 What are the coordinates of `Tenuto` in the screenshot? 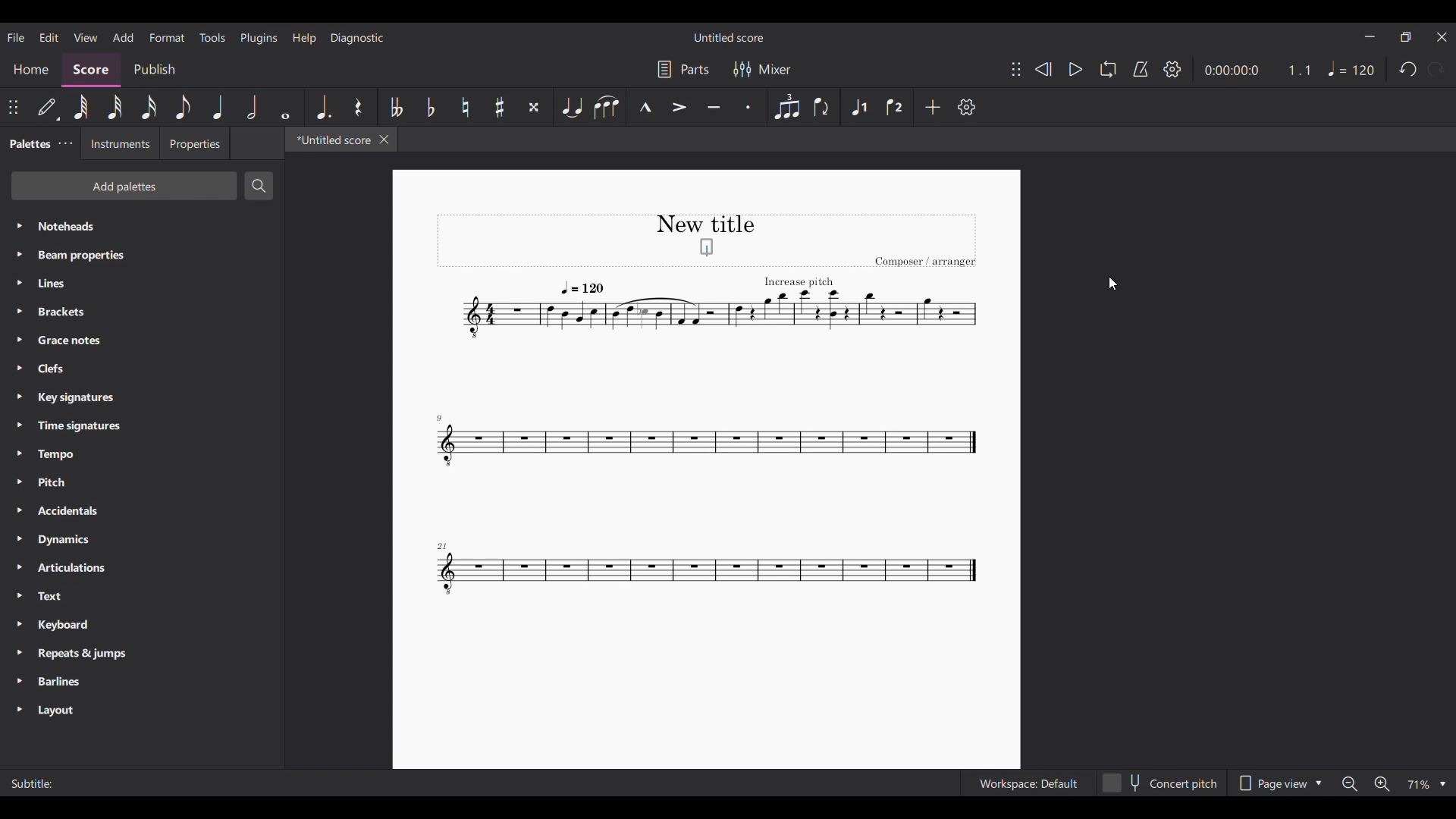 It's located at (714, 108).